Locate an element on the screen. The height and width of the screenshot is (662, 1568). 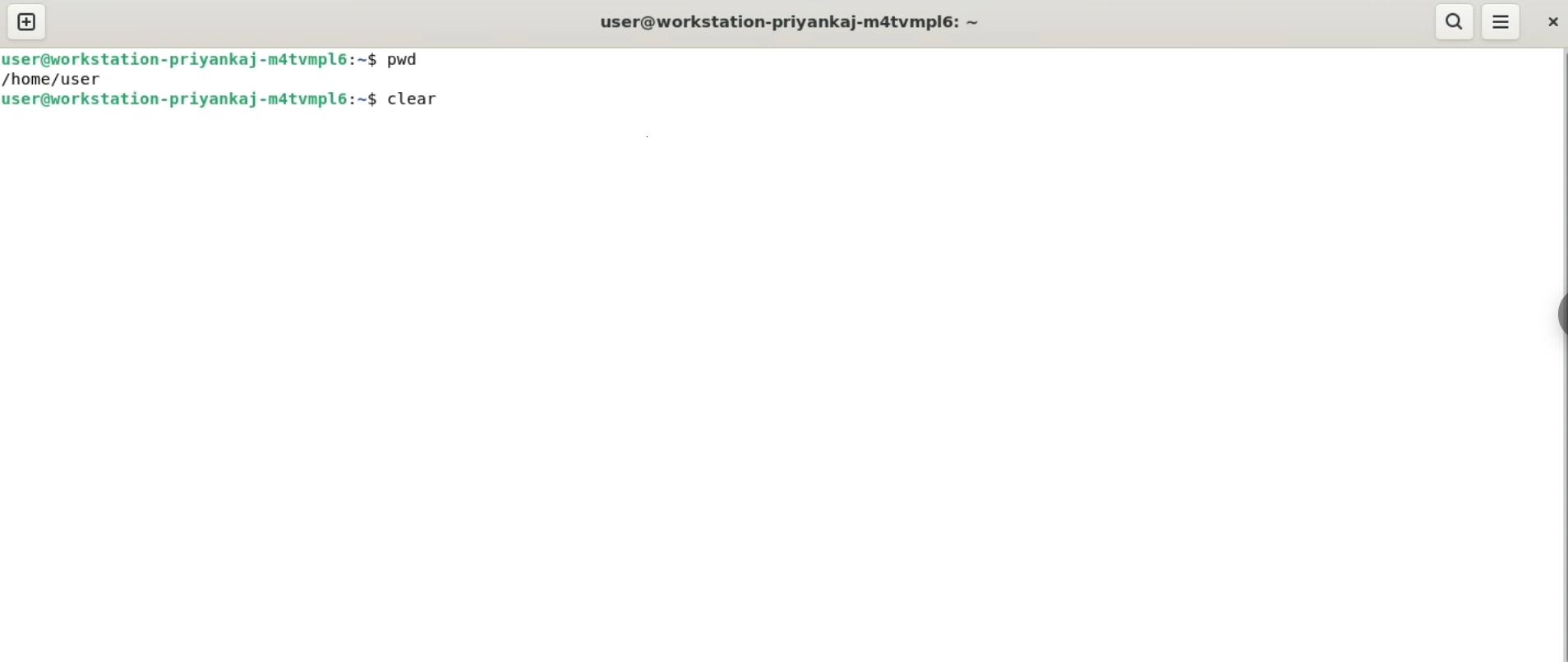
user@workstation-priyankaj-matvmplé6:~$ is located at coordinates (192, 100).